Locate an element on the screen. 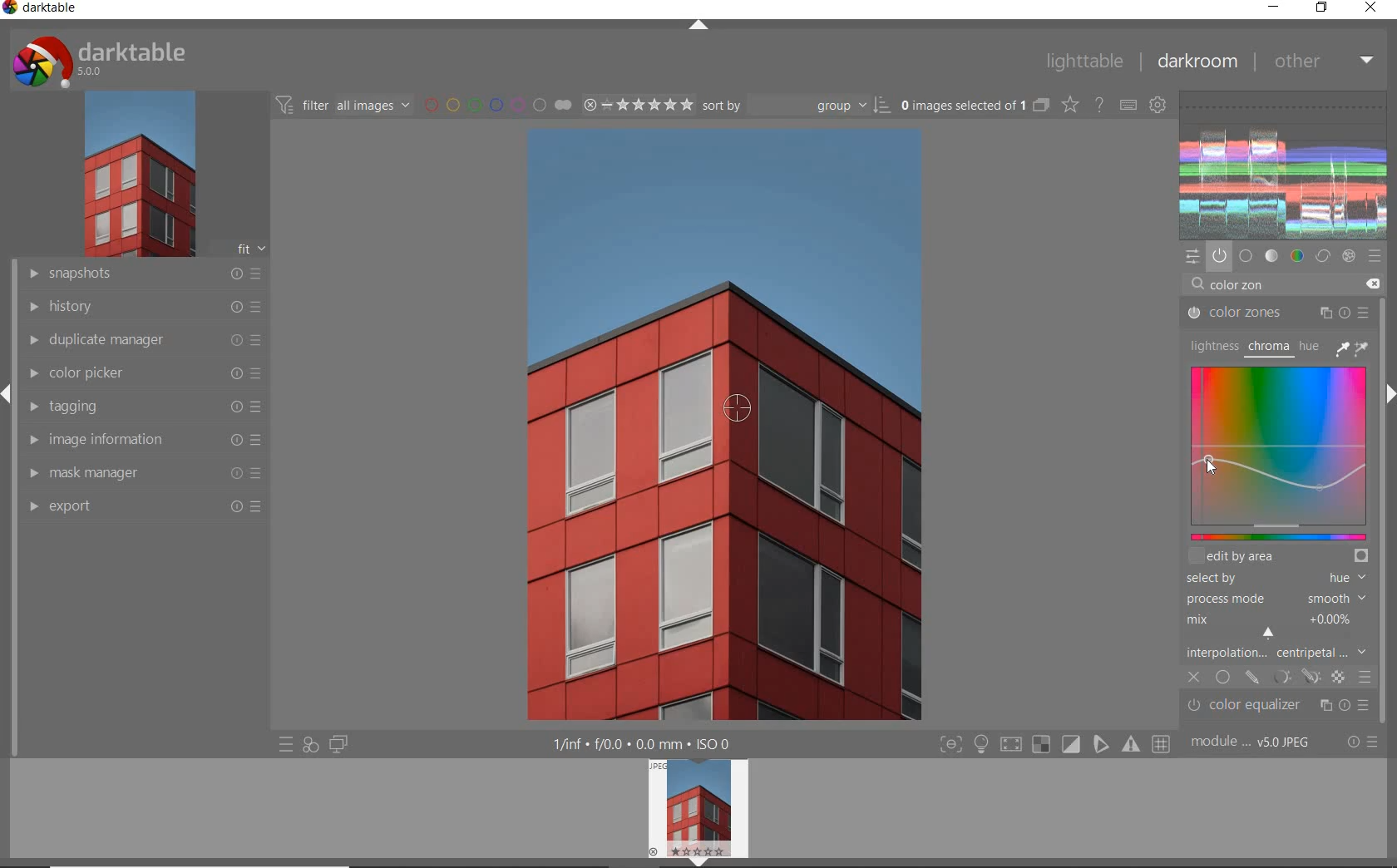 This screenshot has height=868, width=1397. selected Image range rating is located at coordinates (639, 104).